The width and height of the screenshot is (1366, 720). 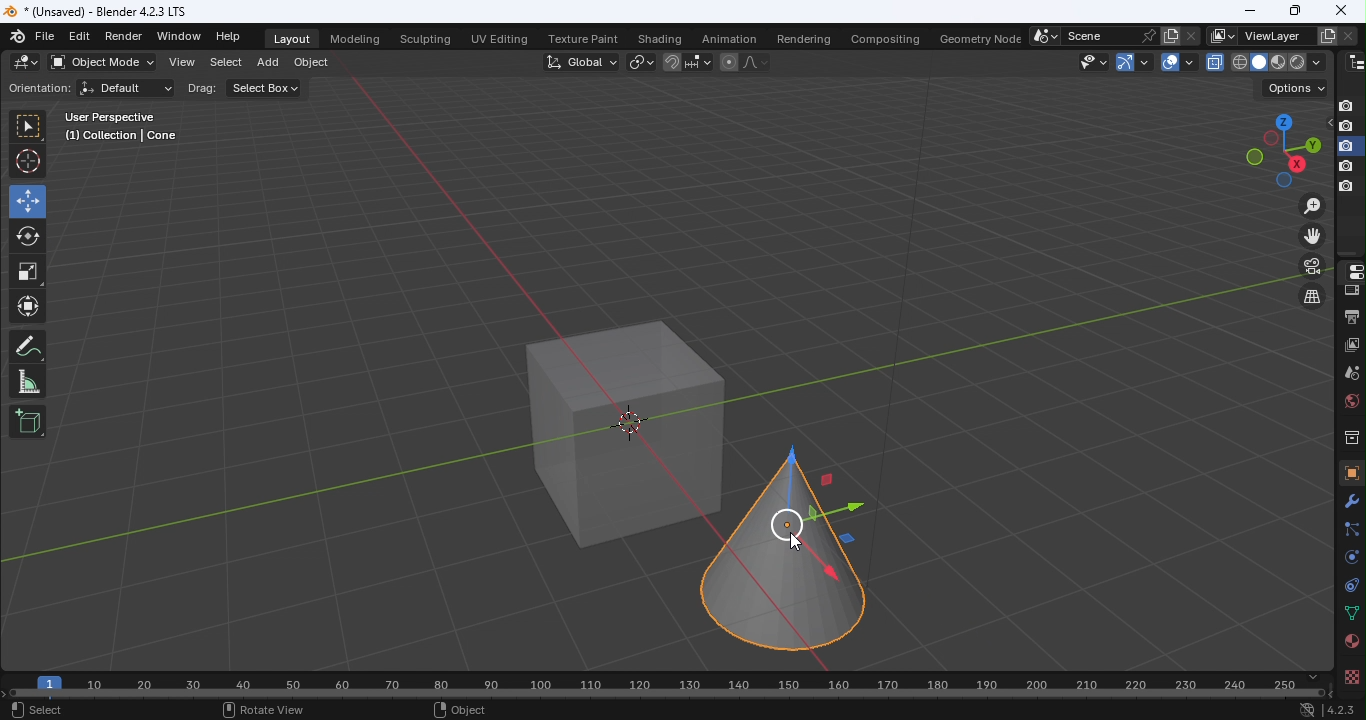 I want to click on Move the view, so click(x=1313, y=236).